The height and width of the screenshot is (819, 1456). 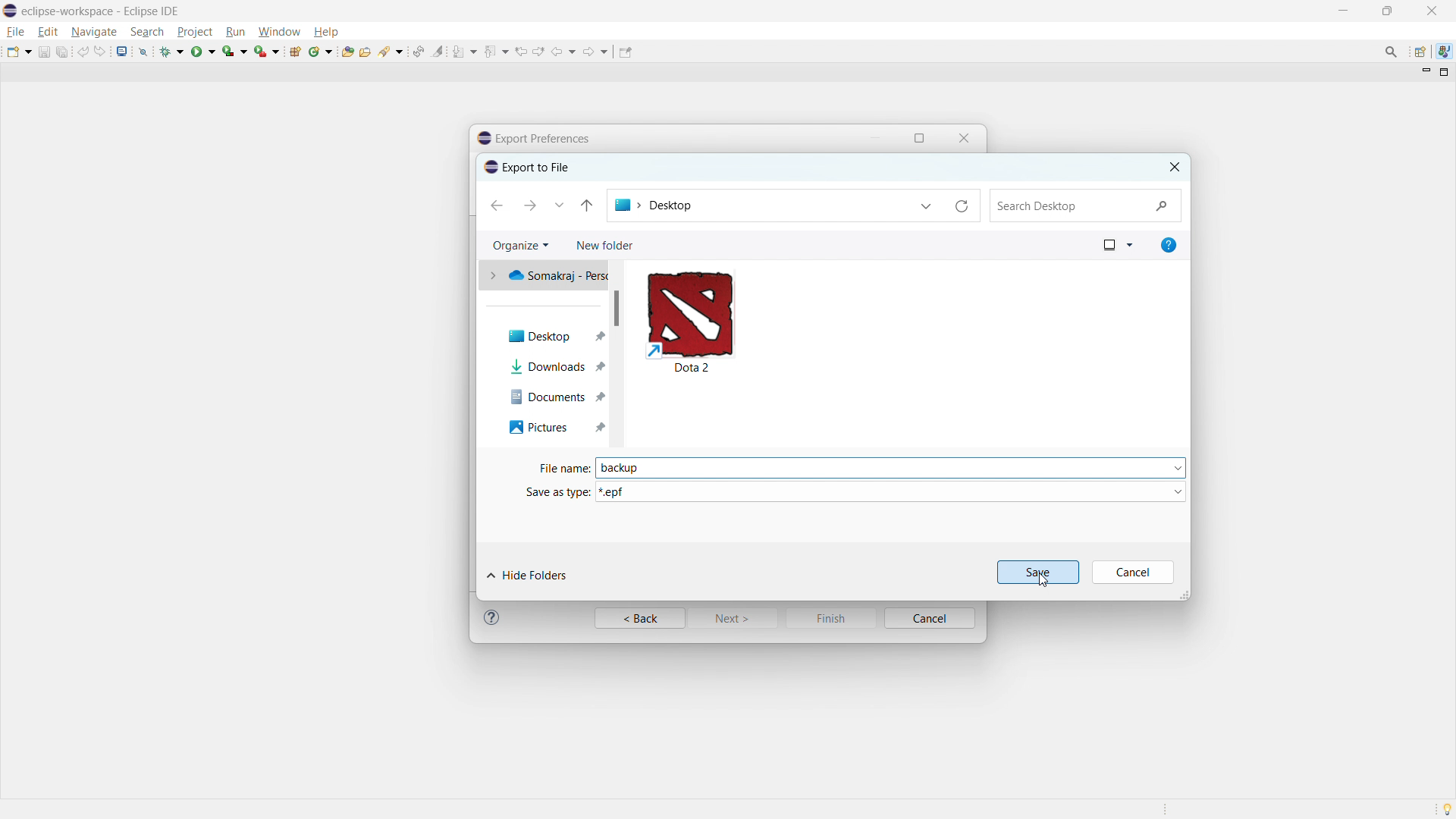 I want to click on Dota 2, so click(x=728, y=322).